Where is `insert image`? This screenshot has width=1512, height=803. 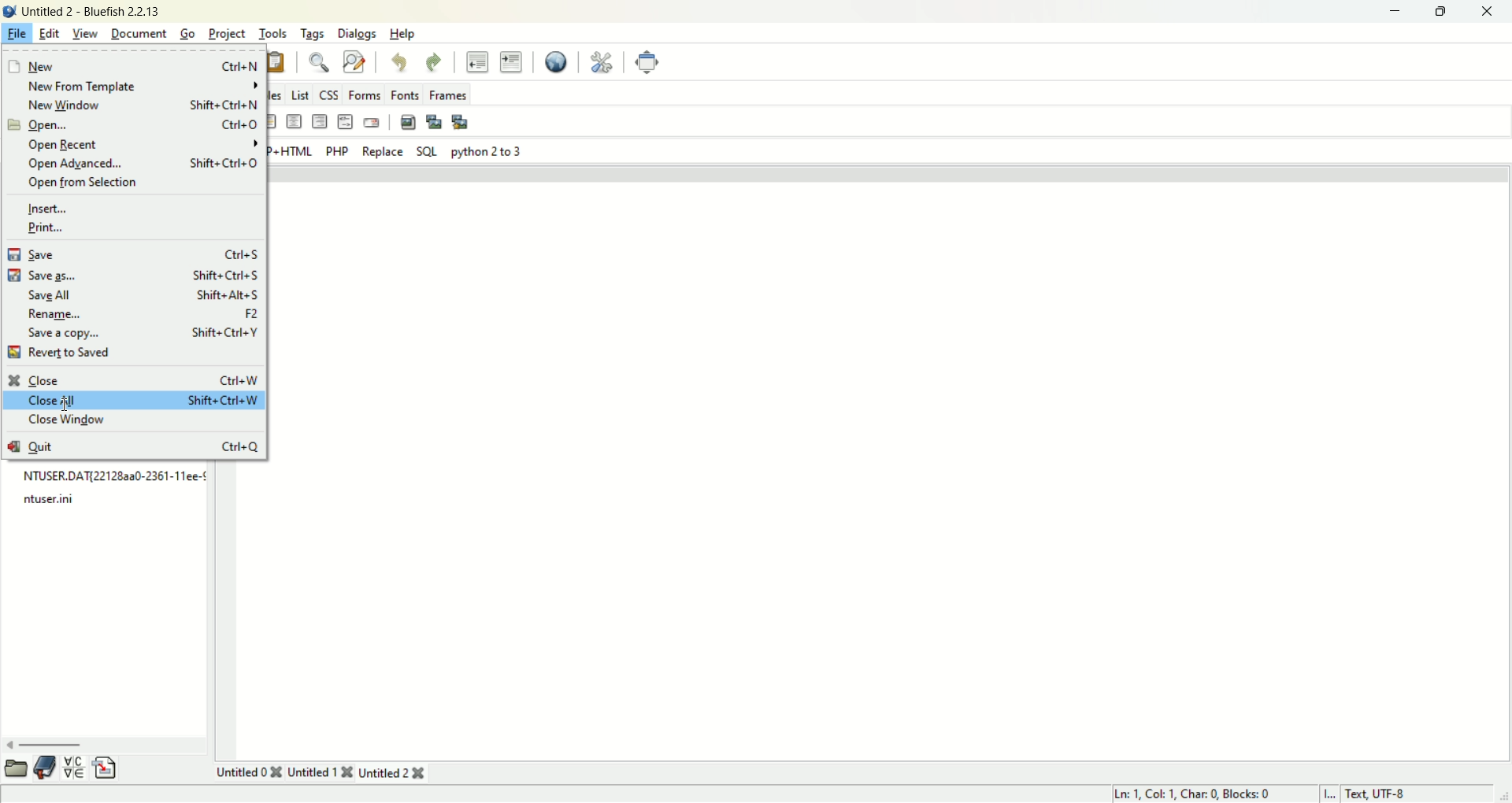
insert image is located at coordinates (407, 120).